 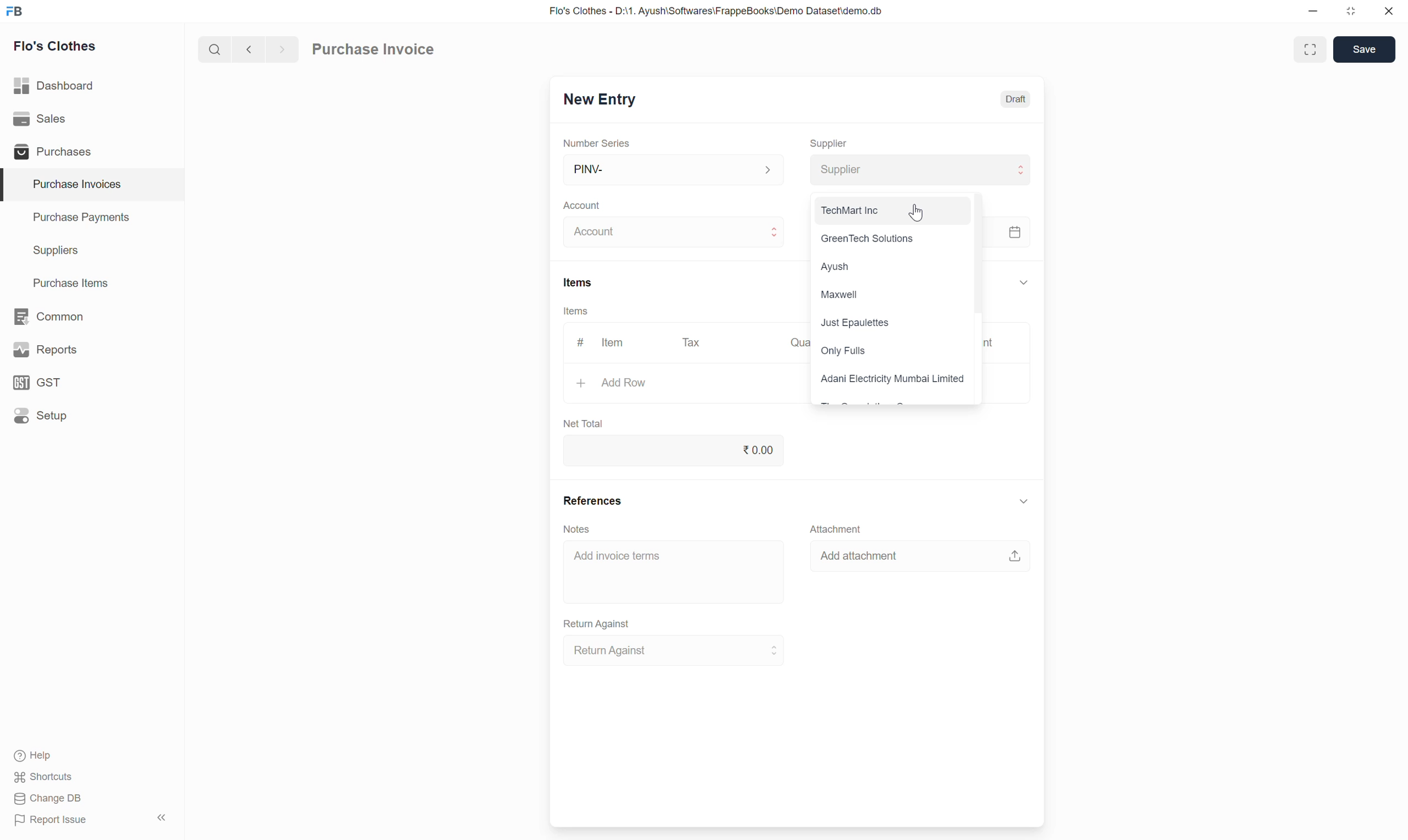 What do you see at coordinates (602, 342) in the screenshot?
I see `# Item` at bounding box center [602, 342].